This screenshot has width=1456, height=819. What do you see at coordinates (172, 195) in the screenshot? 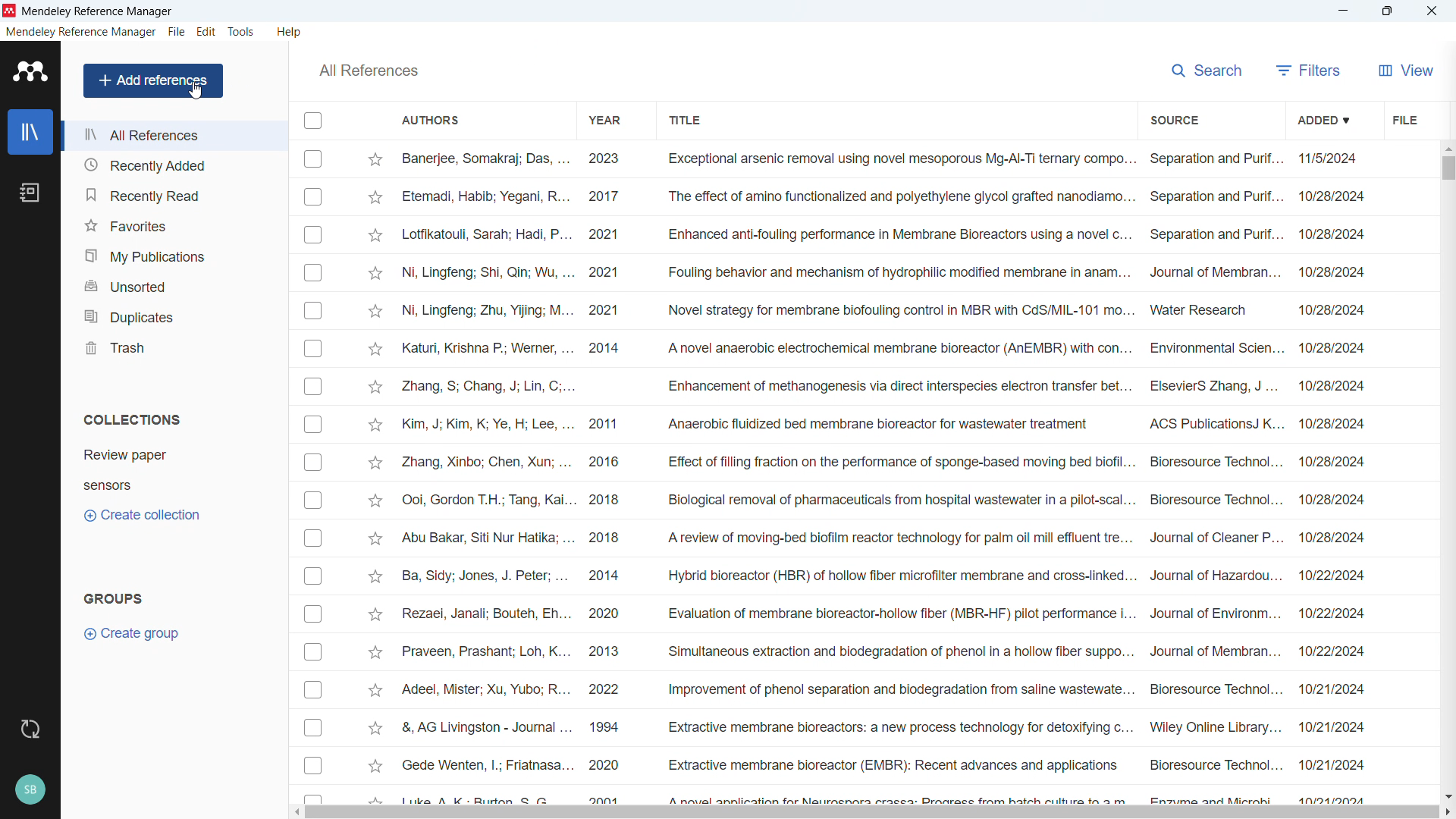
I see `Recently read ` at bounding box center [172, 195].